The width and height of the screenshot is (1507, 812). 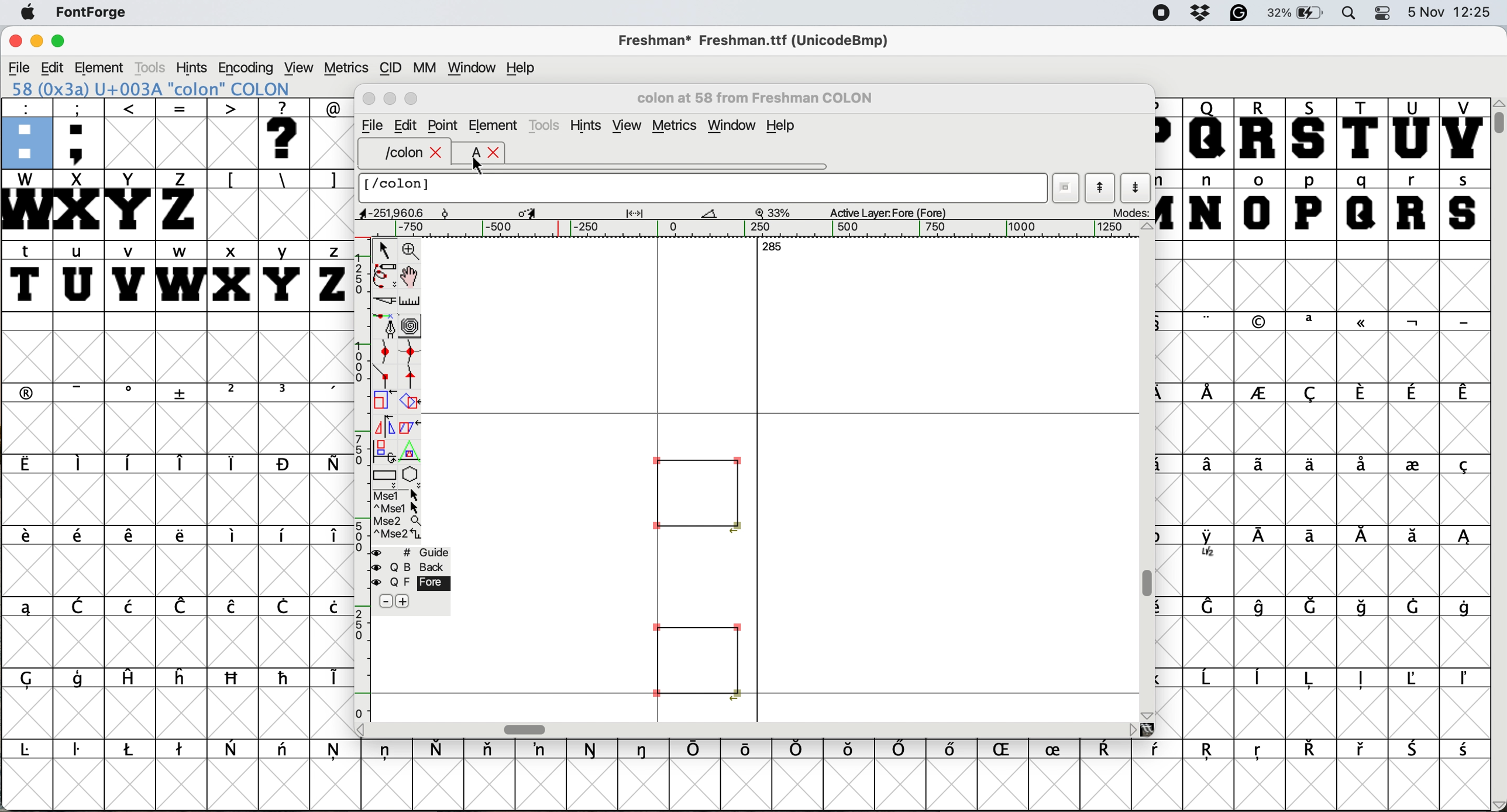 What do you see at coordinates (27, 465) in the screenshot?
I see `symbol` at bounding box center [27, 465].